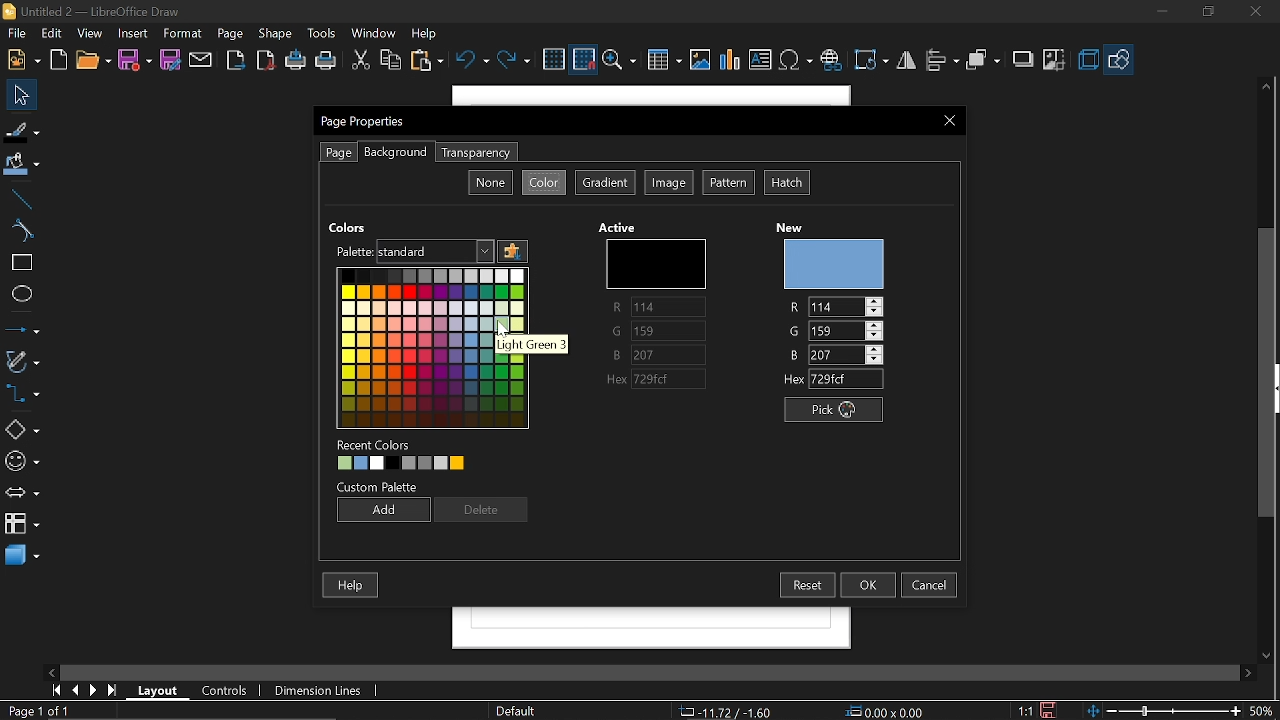 This screenshot has width=1280, height=720. I want to click on Fill color, so click(21, 166).